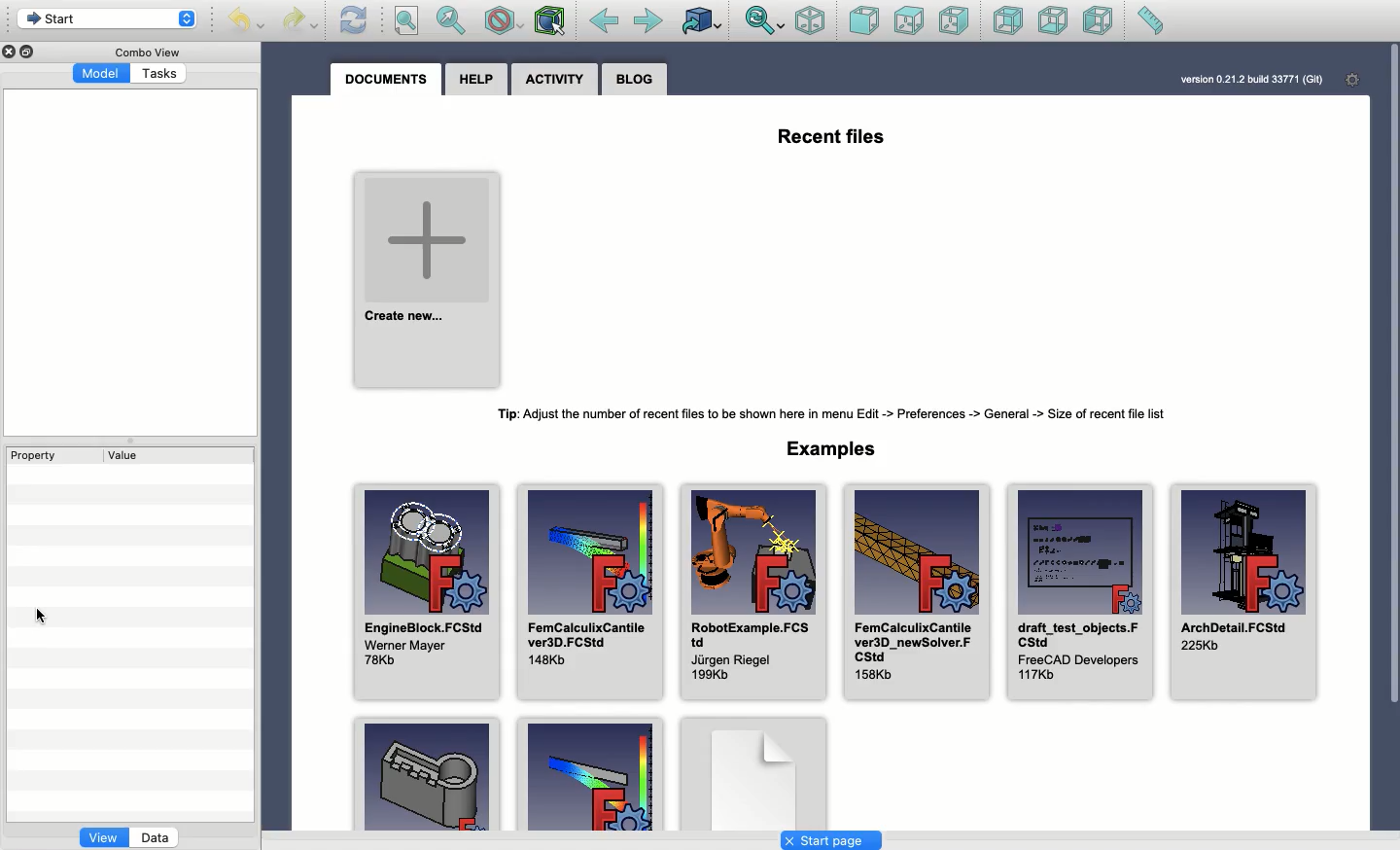 This screenshot has width=1400, height=850. What do you see at coordinates (355, 22) in the screenshot?
I see `Refresh` at bounding box center [355, 22].